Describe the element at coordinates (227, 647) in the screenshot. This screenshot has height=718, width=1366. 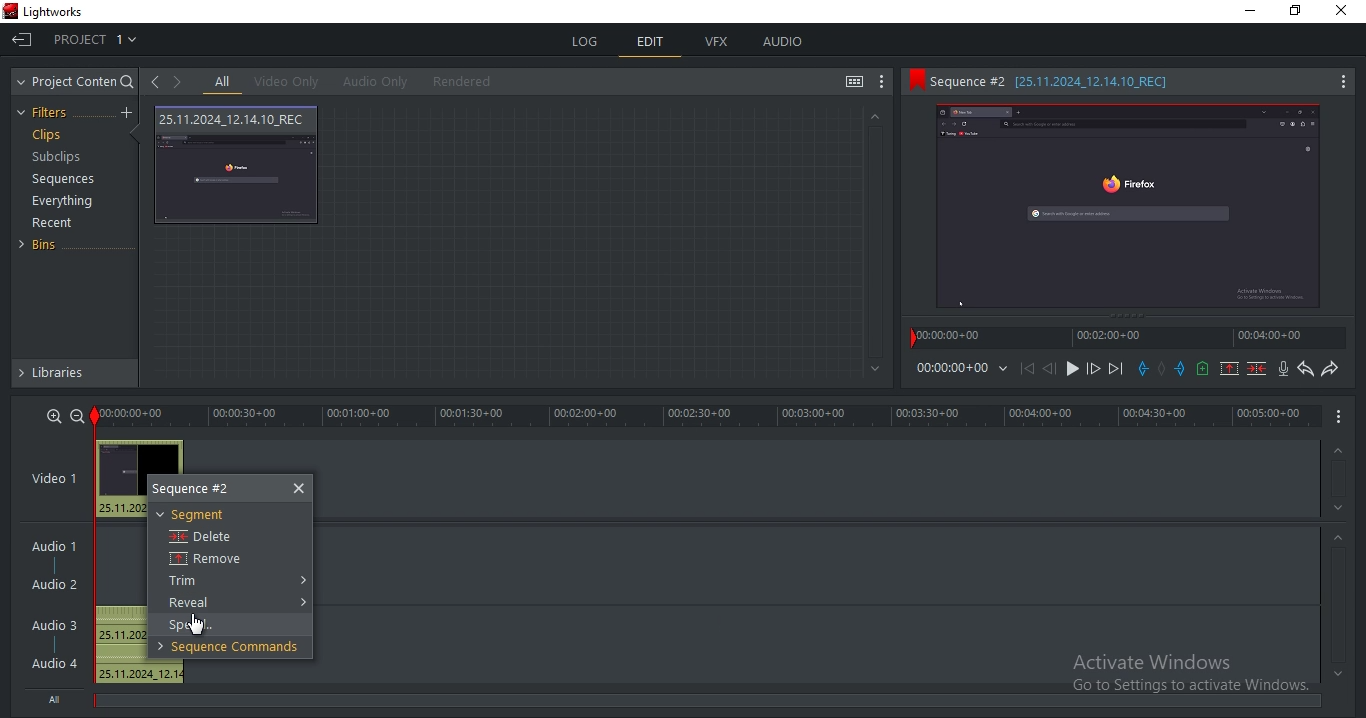
I see `sequence command` at that location.